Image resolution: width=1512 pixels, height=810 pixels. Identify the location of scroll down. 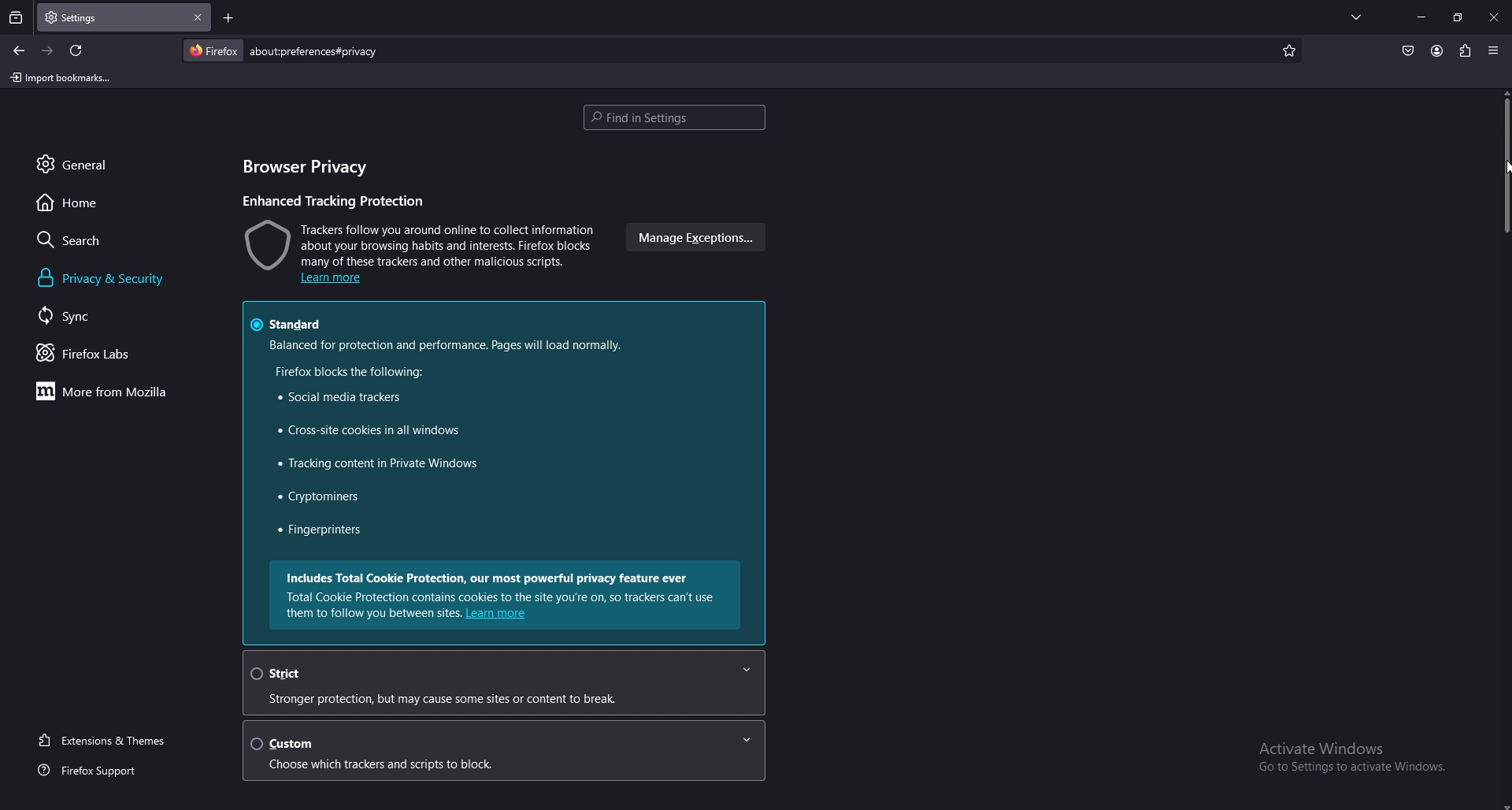
(1503, 804).